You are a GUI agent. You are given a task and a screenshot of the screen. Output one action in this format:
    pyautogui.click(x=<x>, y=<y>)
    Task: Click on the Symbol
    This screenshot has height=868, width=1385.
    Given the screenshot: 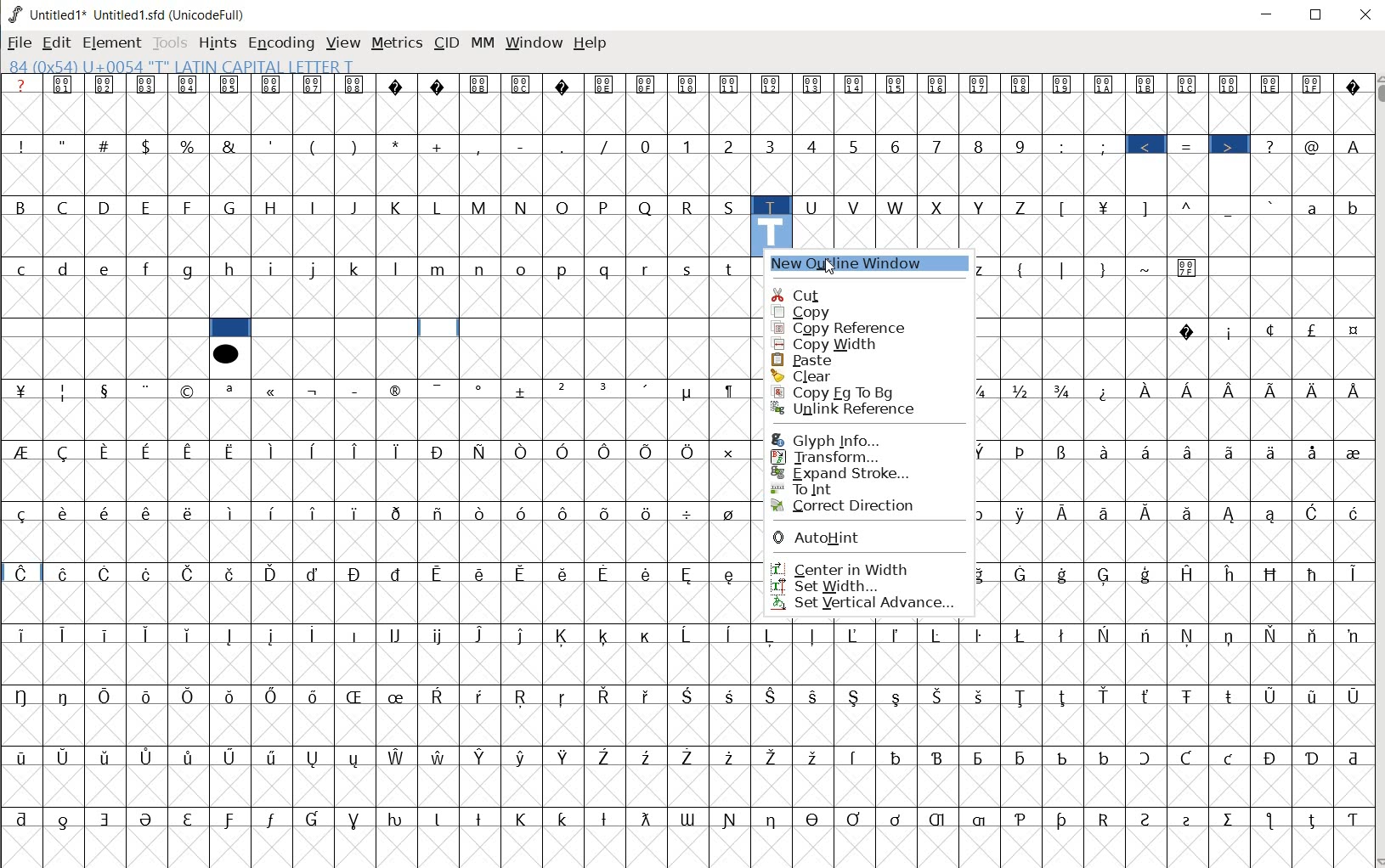 What is the action you would take?
    pyautogui.click(x=607, y=697)
    